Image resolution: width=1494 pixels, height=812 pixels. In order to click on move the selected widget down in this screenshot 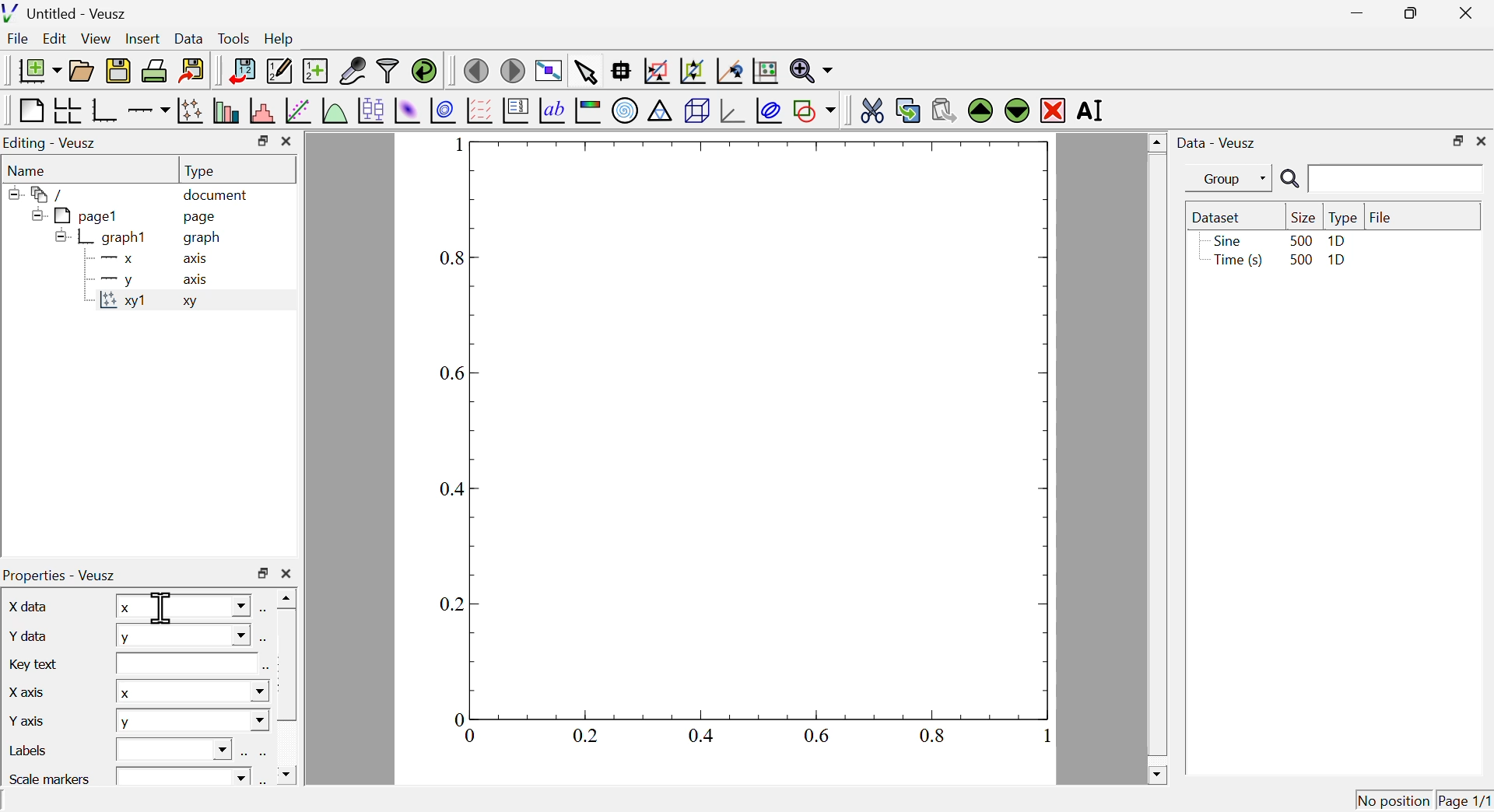, I will do `click(1015, 110)`.